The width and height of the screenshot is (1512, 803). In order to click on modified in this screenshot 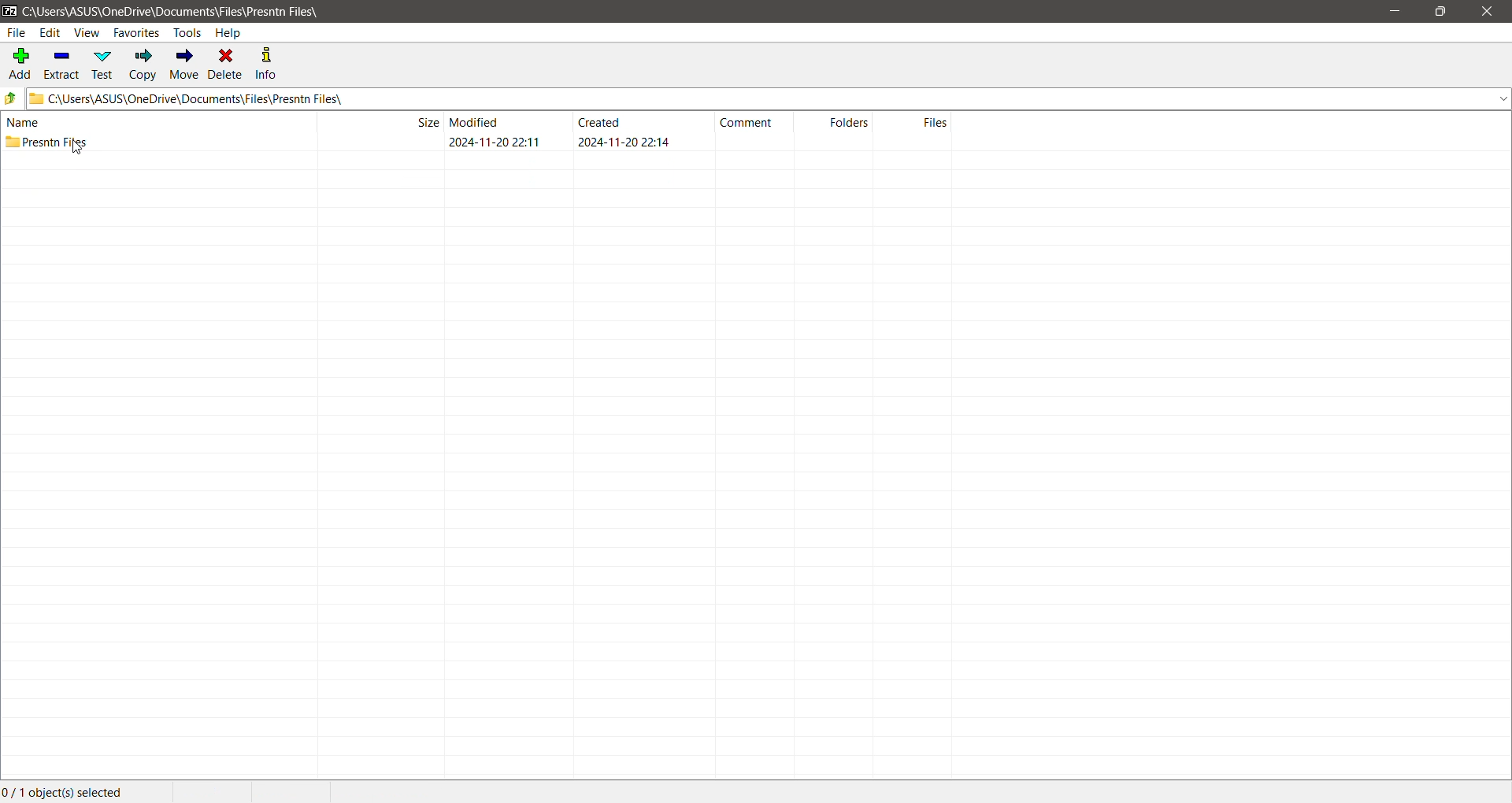, I will do `click(476, 121)`.